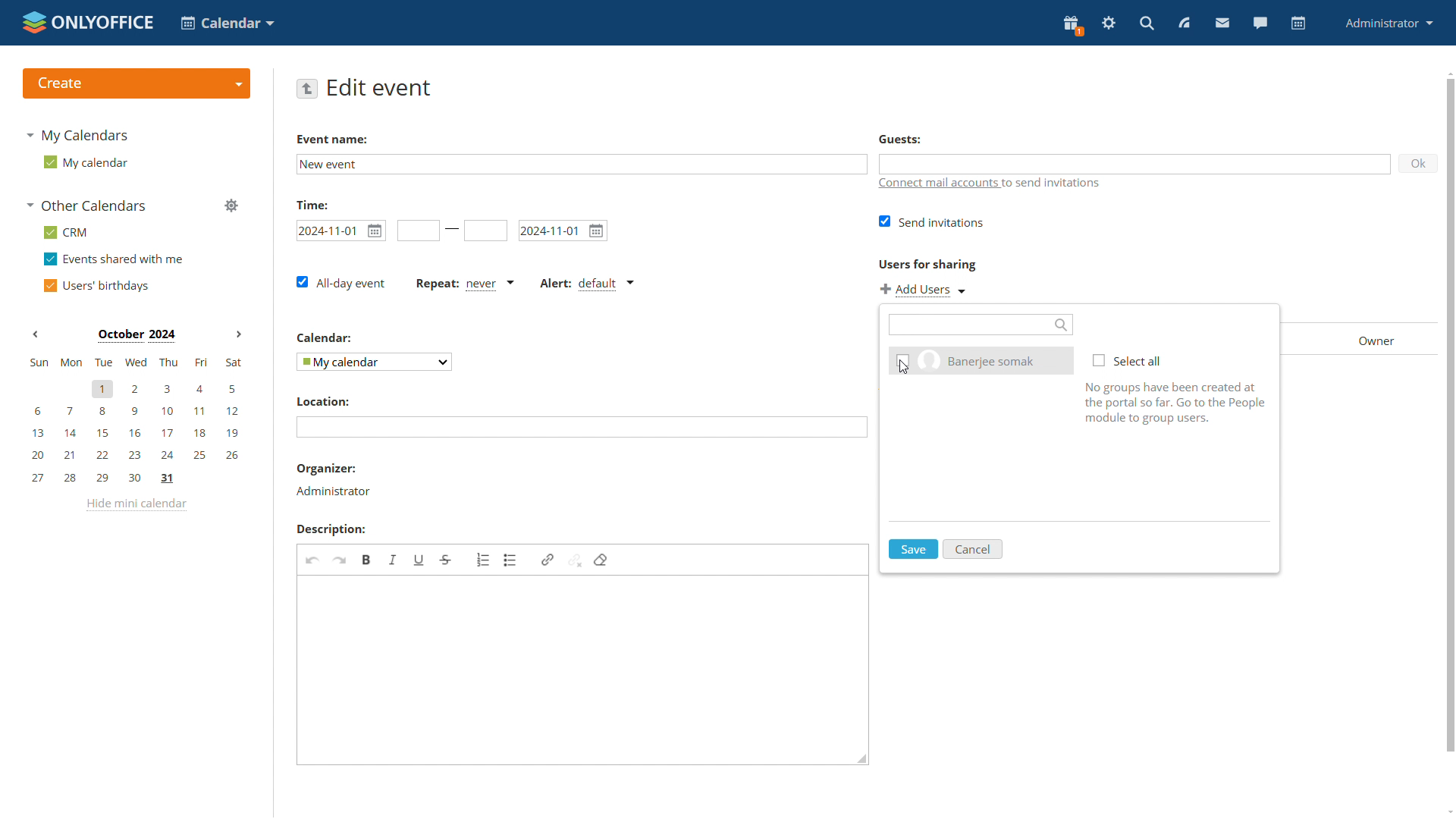 The image size is (1456, 819). What do you see at coordinates (1299, 24) in the screenshot?
I see `calendar` at bounding box center [1299, 24].